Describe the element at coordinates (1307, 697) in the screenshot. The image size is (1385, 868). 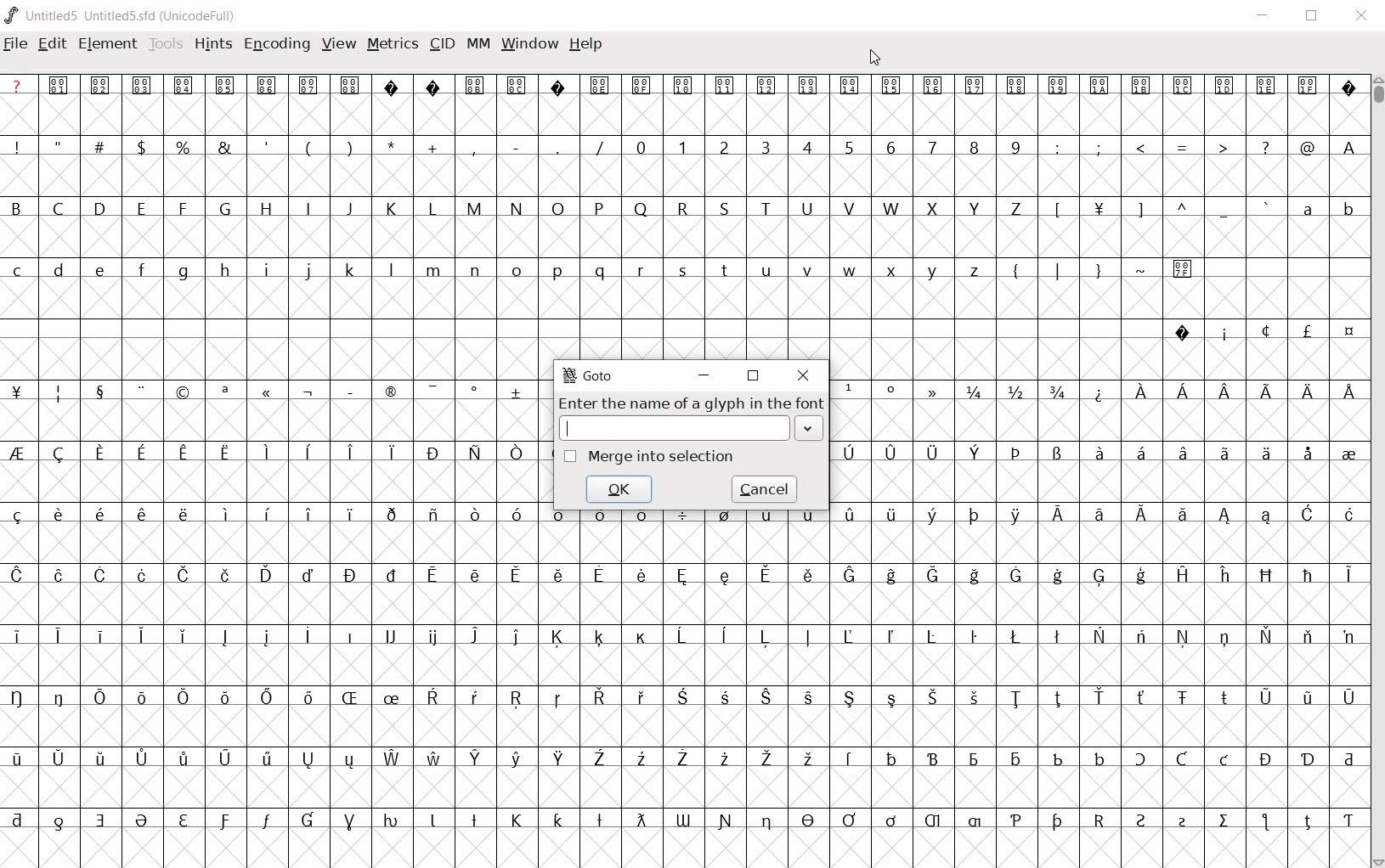
I see `Symbol` at that location.